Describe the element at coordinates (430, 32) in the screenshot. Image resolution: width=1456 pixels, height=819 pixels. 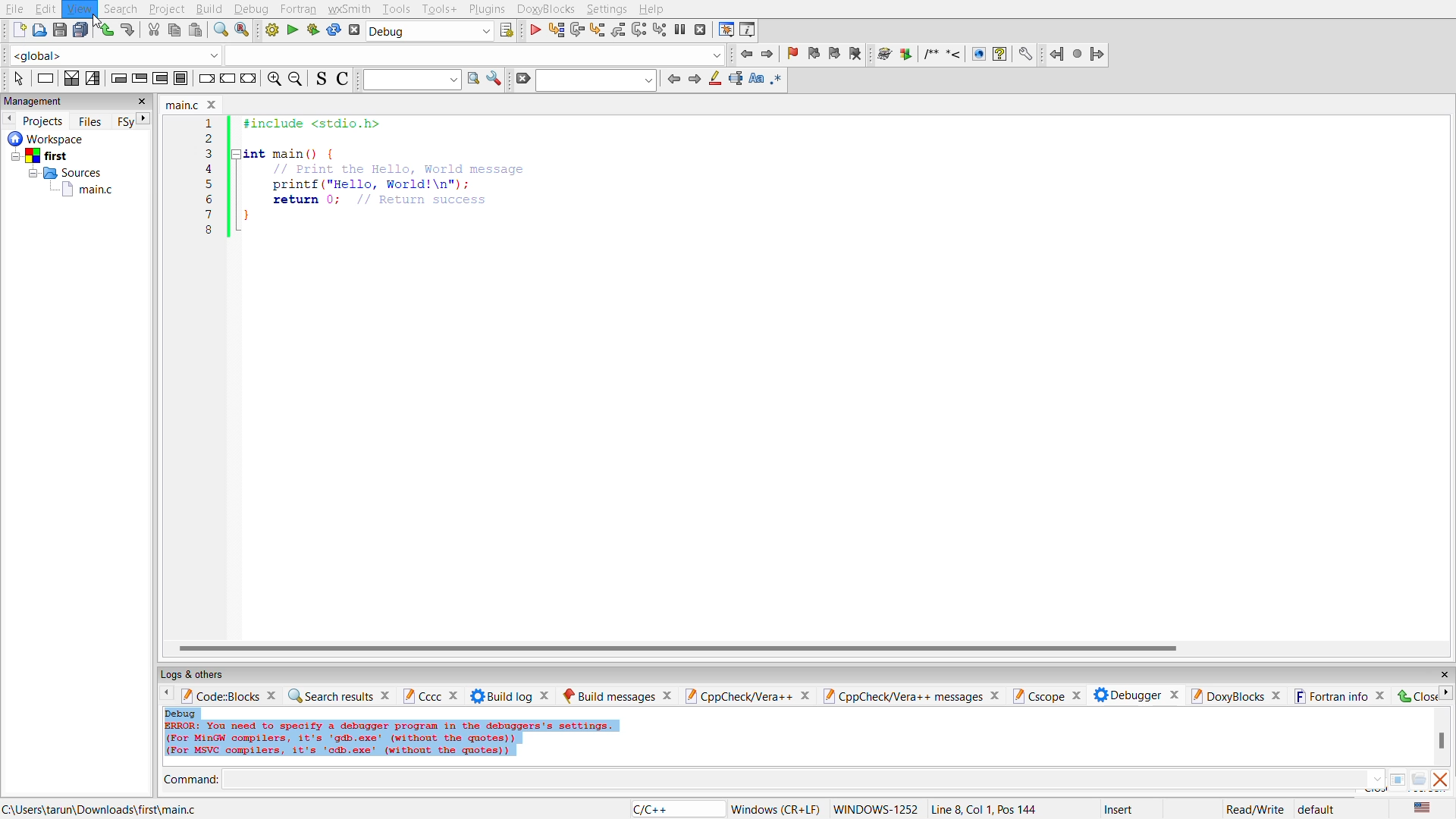
I see `build target` at that location.